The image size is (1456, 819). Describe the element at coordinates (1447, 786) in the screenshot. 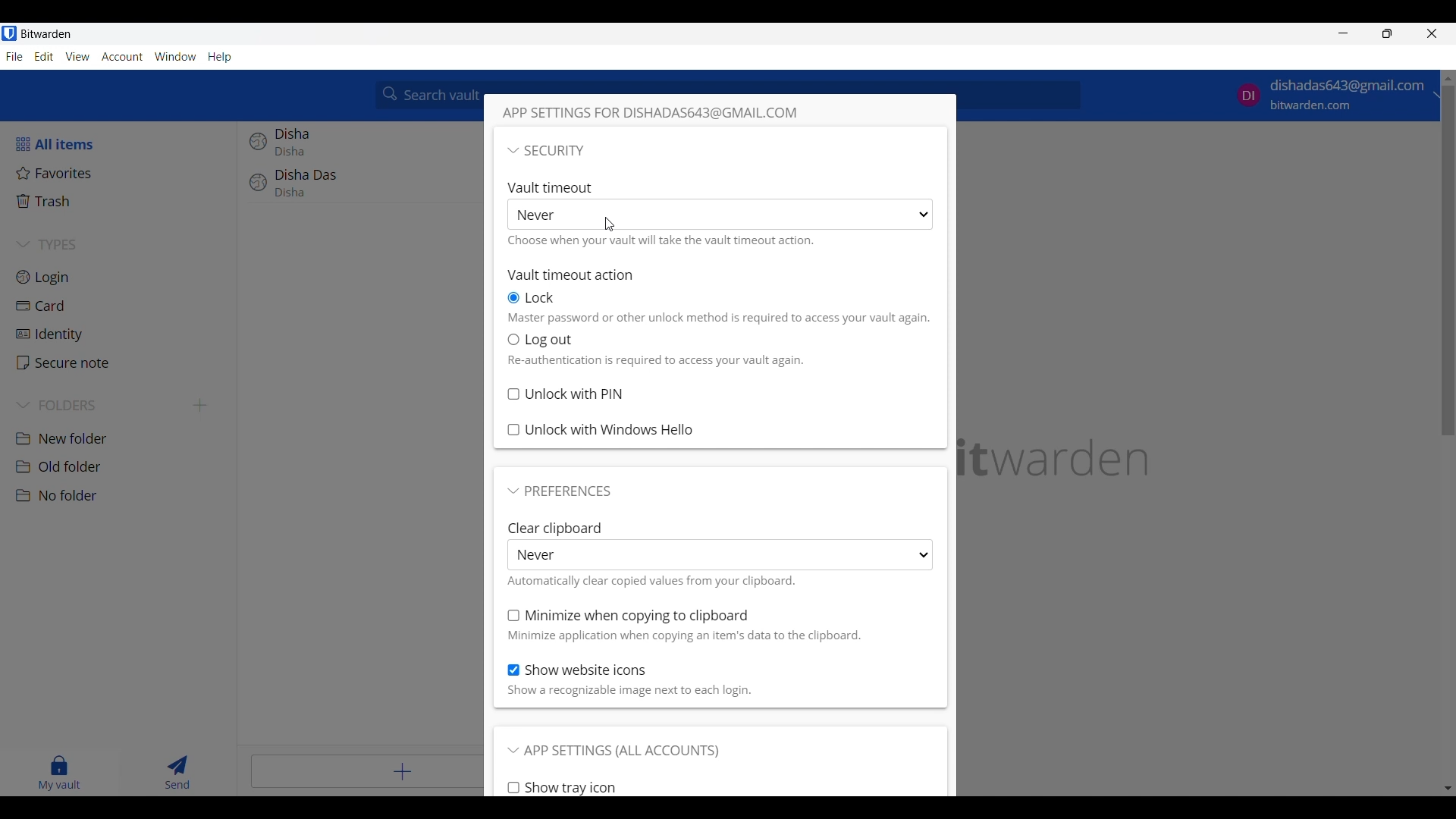

I see `move down` at that location.